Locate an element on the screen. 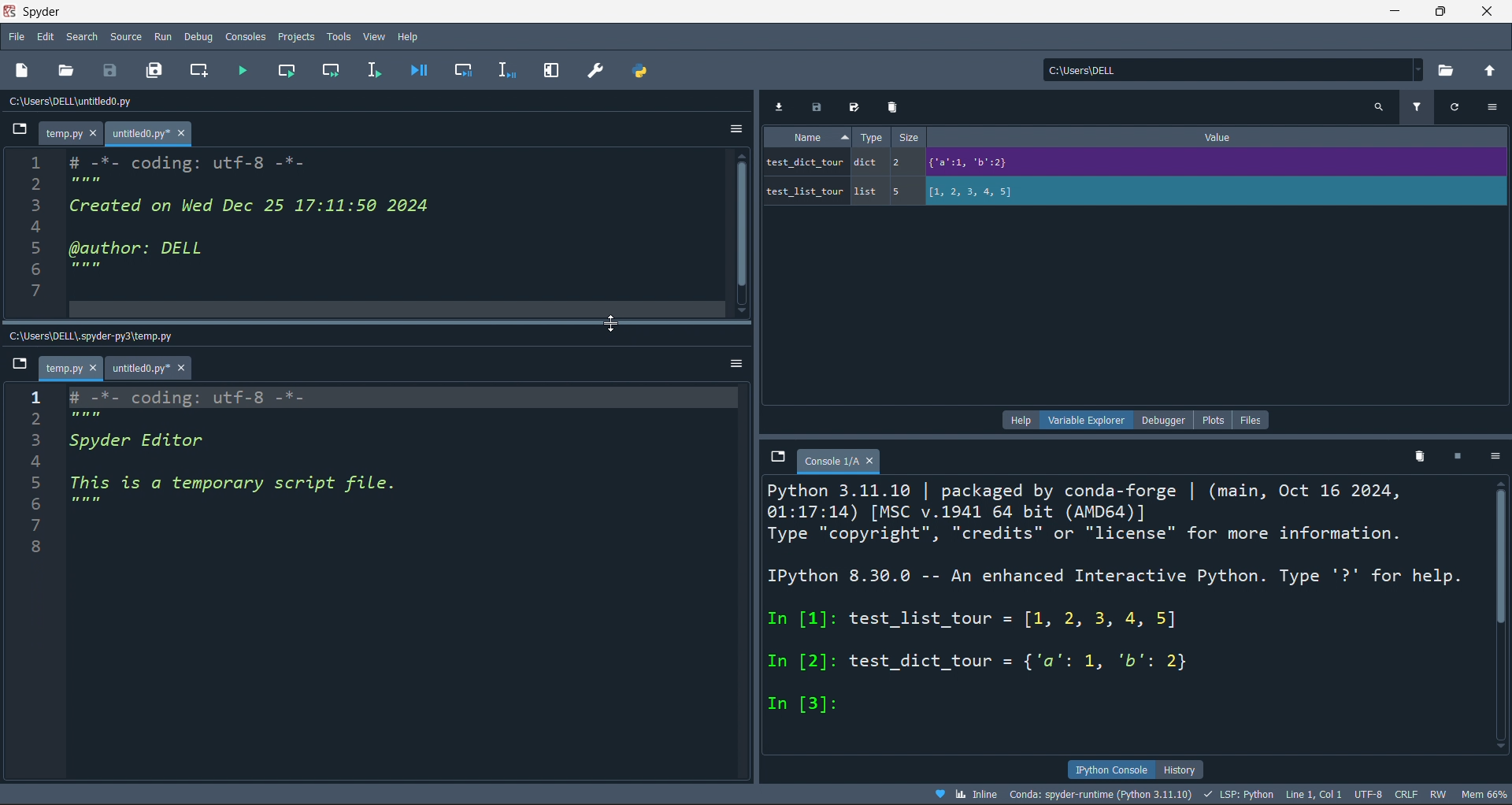  2 """ is located at coordinates (83, 183).